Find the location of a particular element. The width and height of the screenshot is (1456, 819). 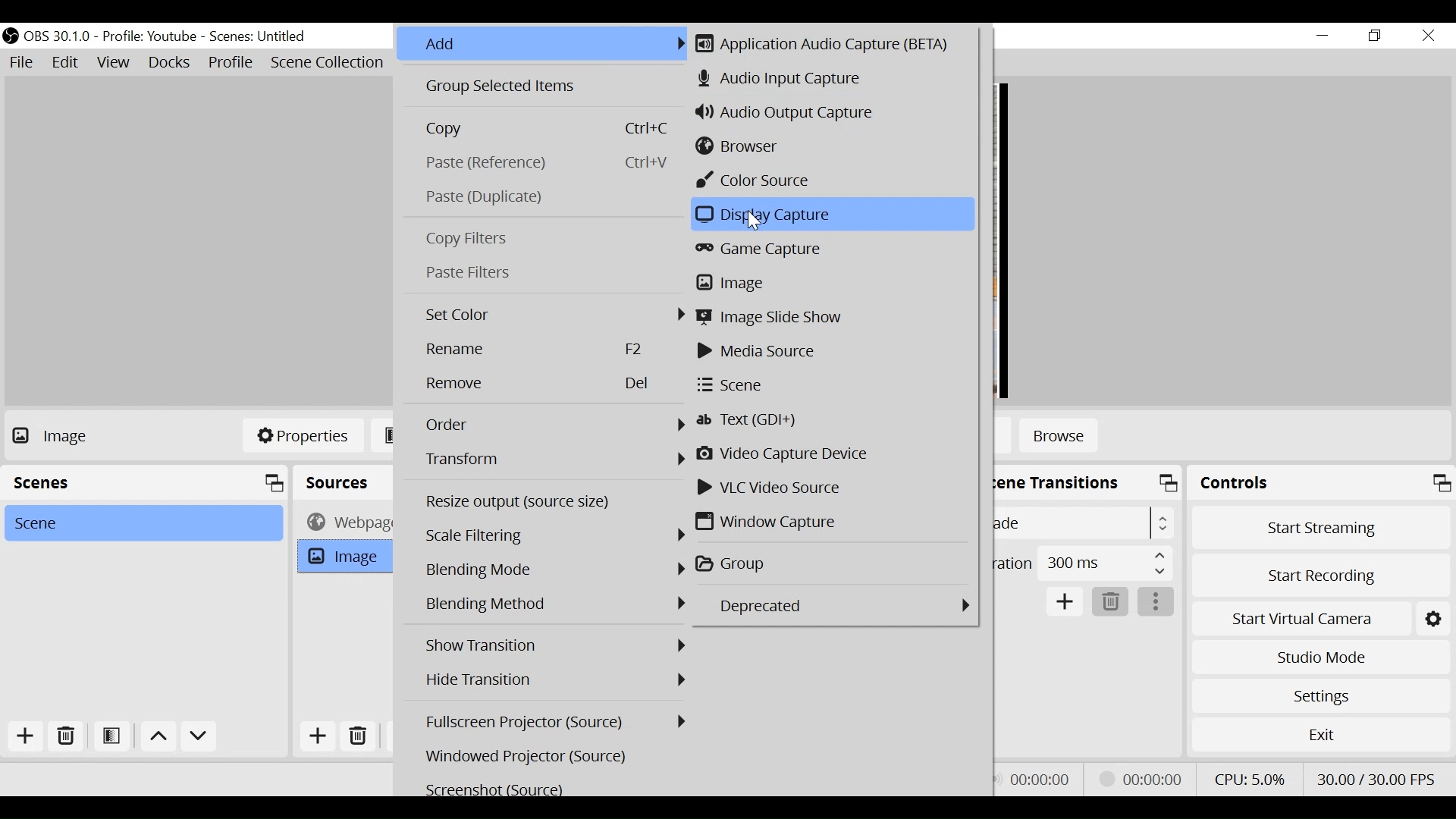

Rename is located at coordinates (552, 350).